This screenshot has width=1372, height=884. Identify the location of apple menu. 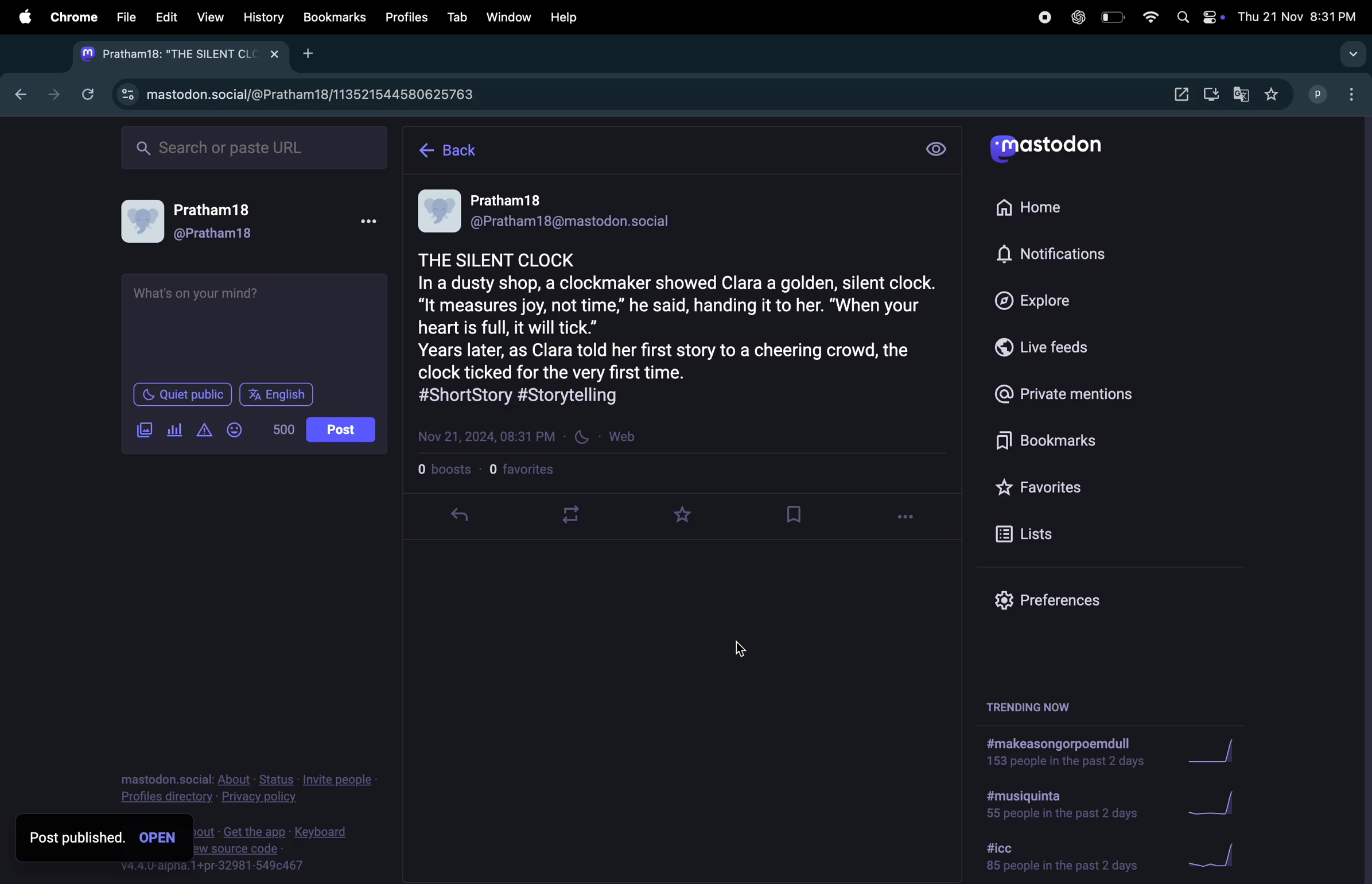
(22, 15).